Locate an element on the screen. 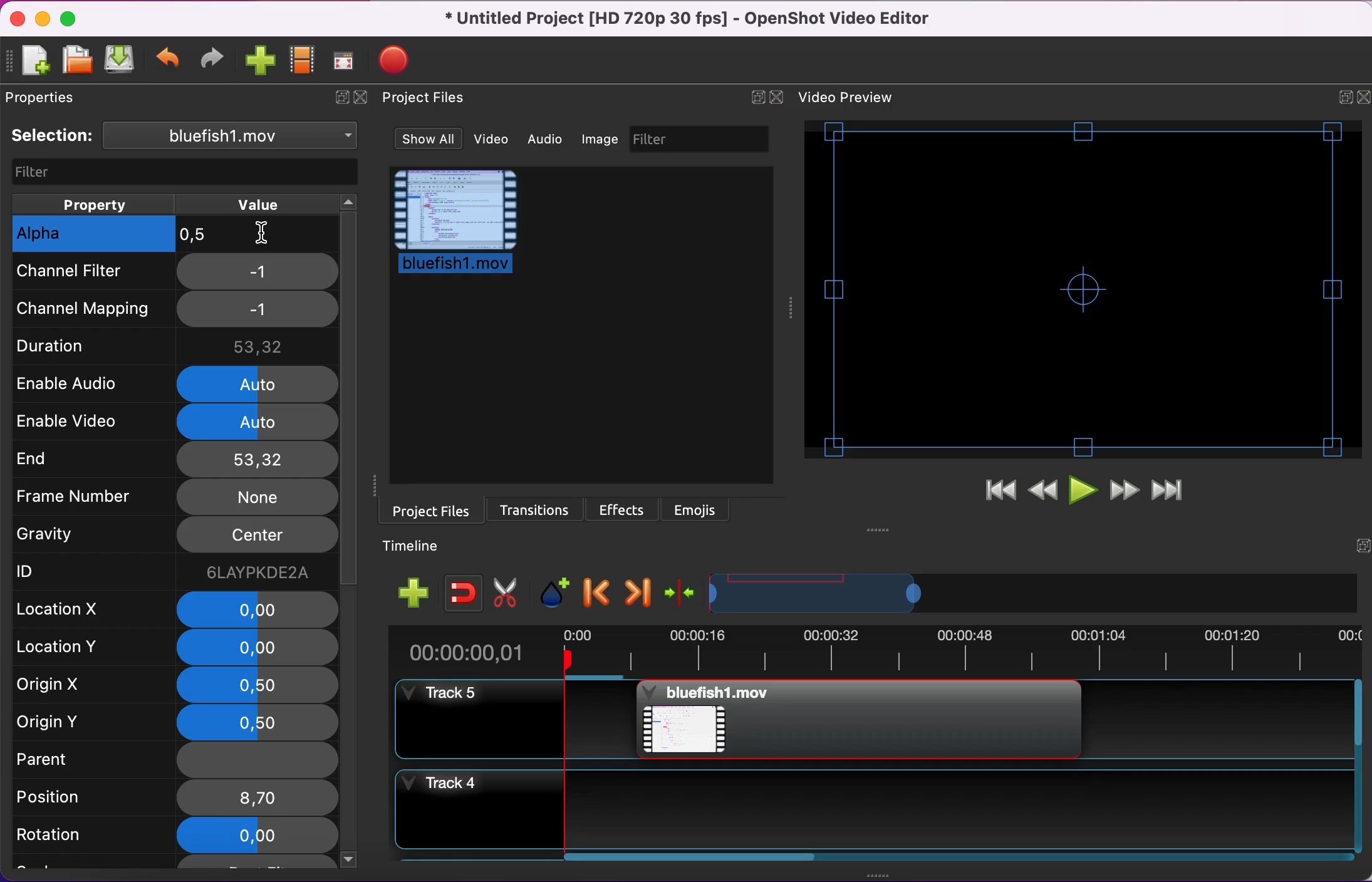 The height and width of the screenshot is (882, 1372). close is located at coordinates (362, 97).